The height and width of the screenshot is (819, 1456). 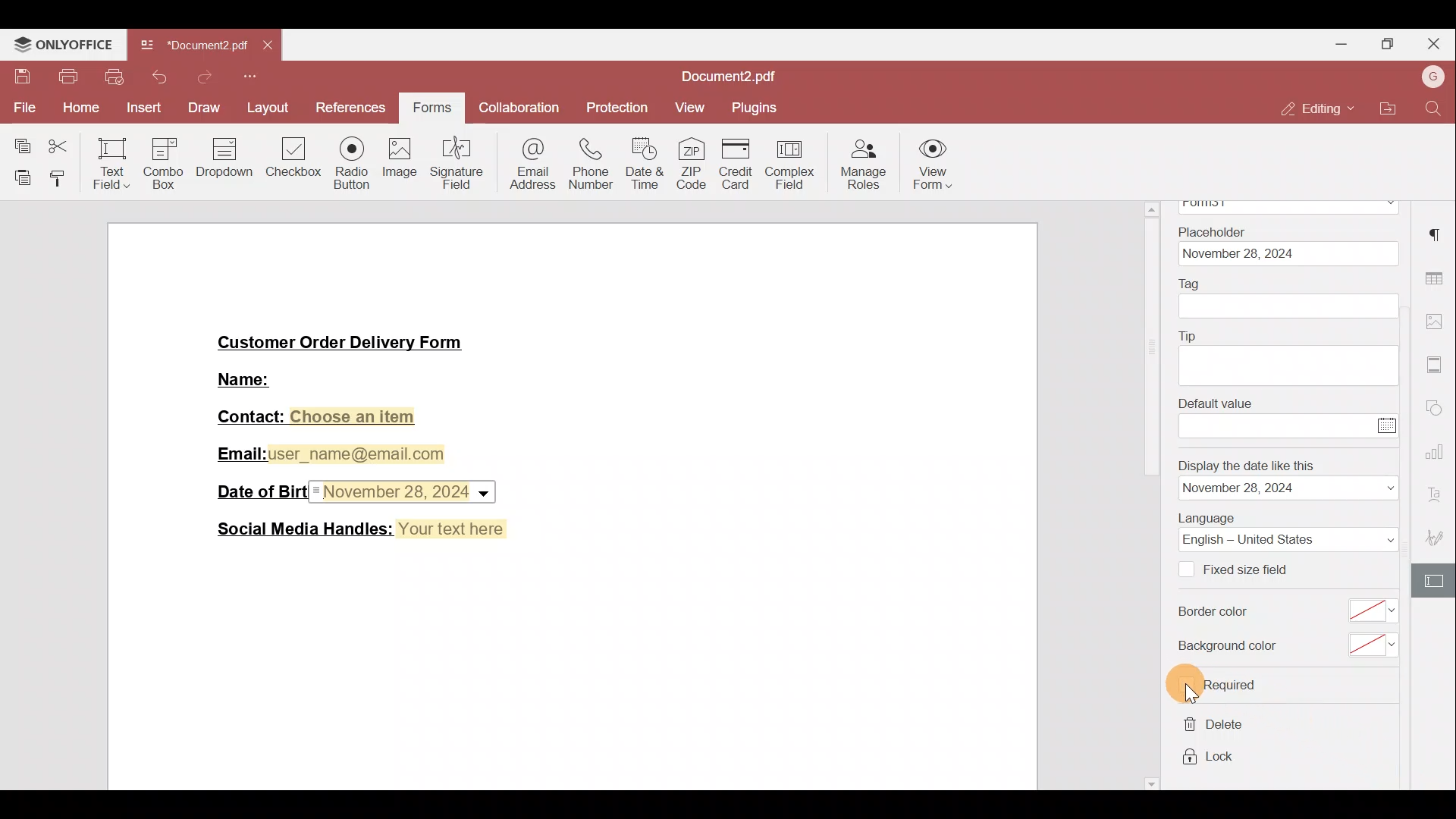 What do you see at coordinates (1438, 538) in the screenshot?
I see `Signature settings` at bounding box center [1438, 538].